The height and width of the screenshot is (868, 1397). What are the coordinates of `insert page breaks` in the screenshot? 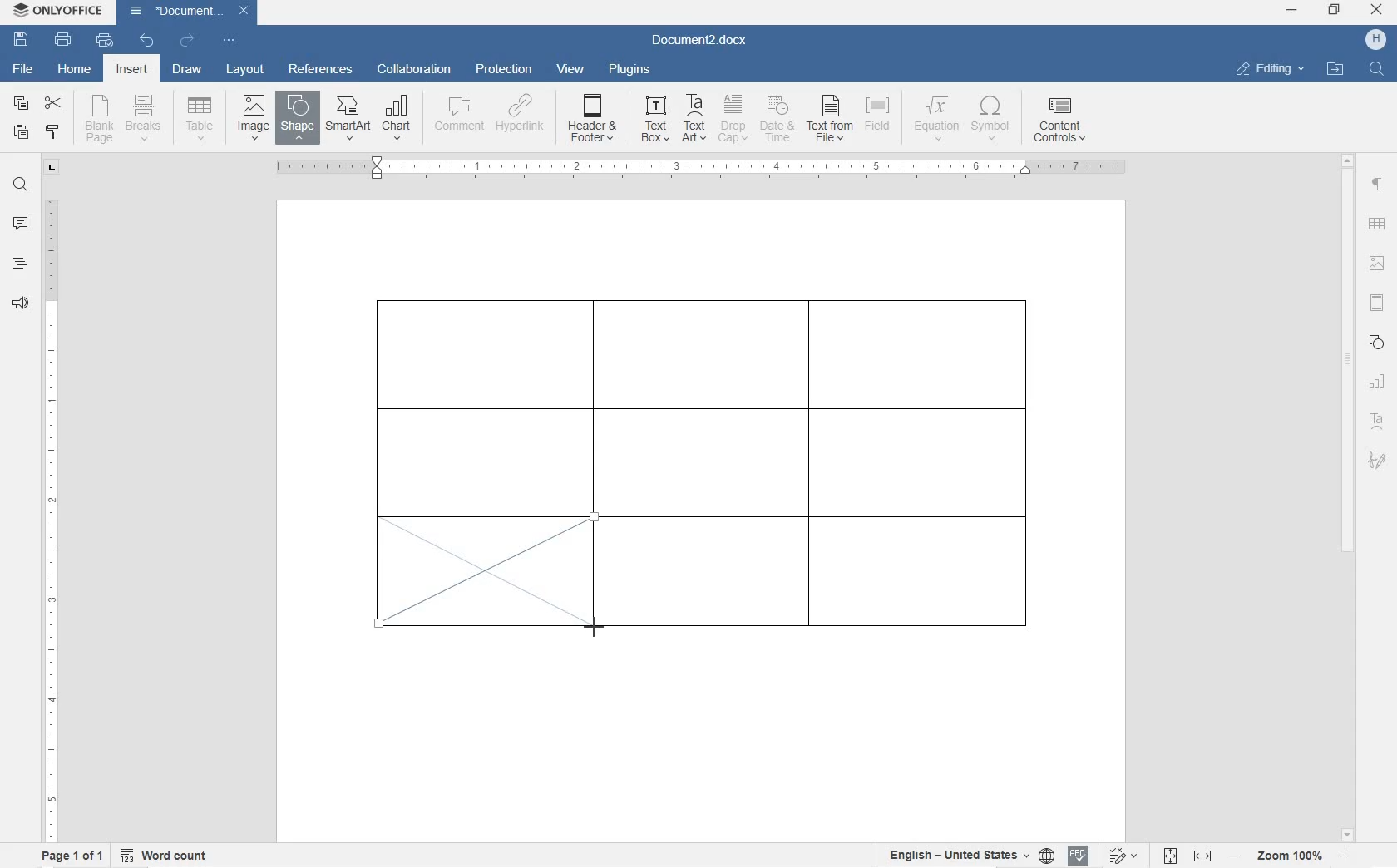 It's located at (146, 119).